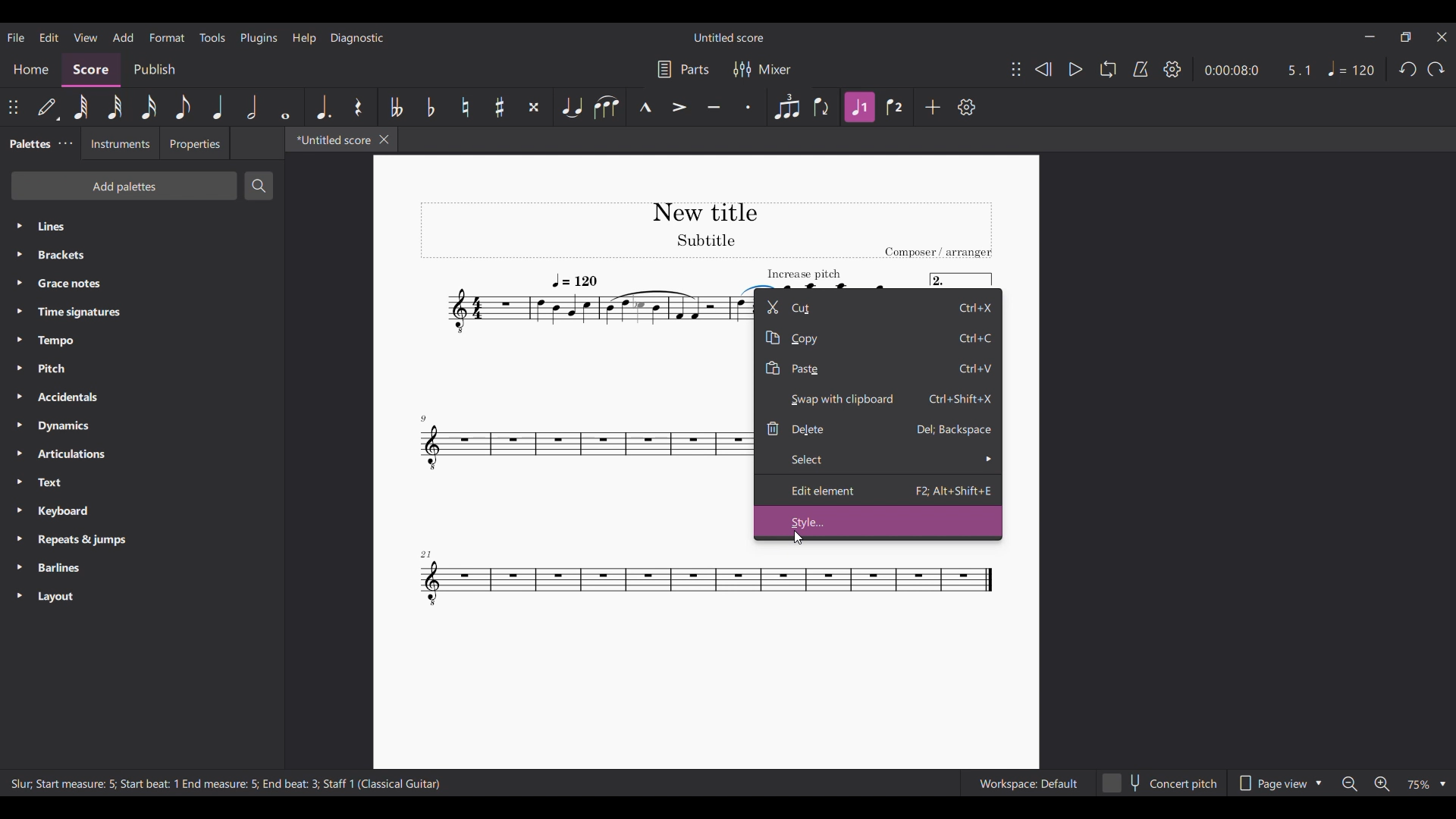 This screenshot has height=819, width=1456. What do you see at coordinates (571, 107) in the screenshot?
I see `Tie` at bounding box center [571, 107].